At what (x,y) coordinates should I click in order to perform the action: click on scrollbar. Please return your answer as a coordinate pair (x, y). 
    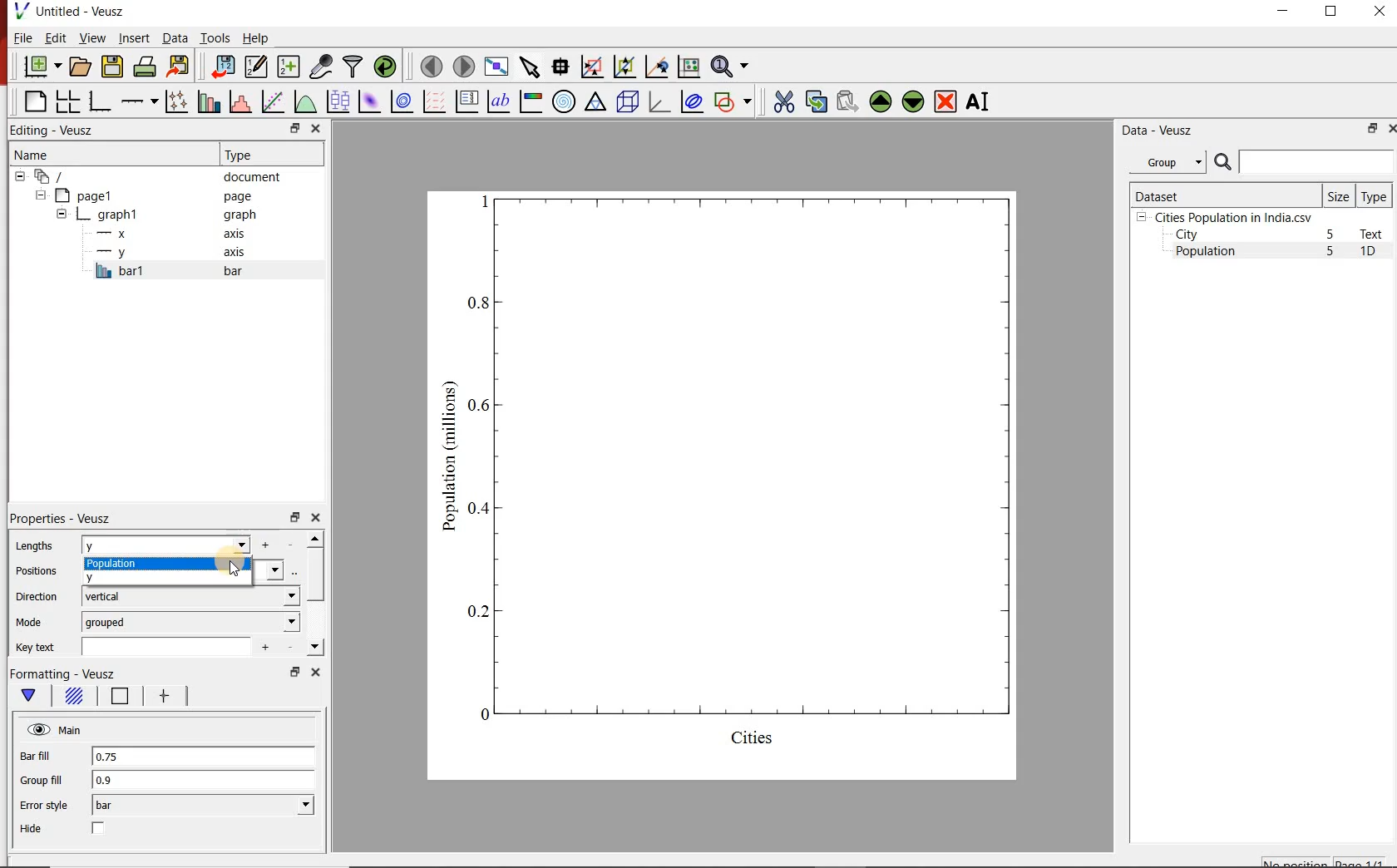
    Looking at the image, I should click on (315, 594).